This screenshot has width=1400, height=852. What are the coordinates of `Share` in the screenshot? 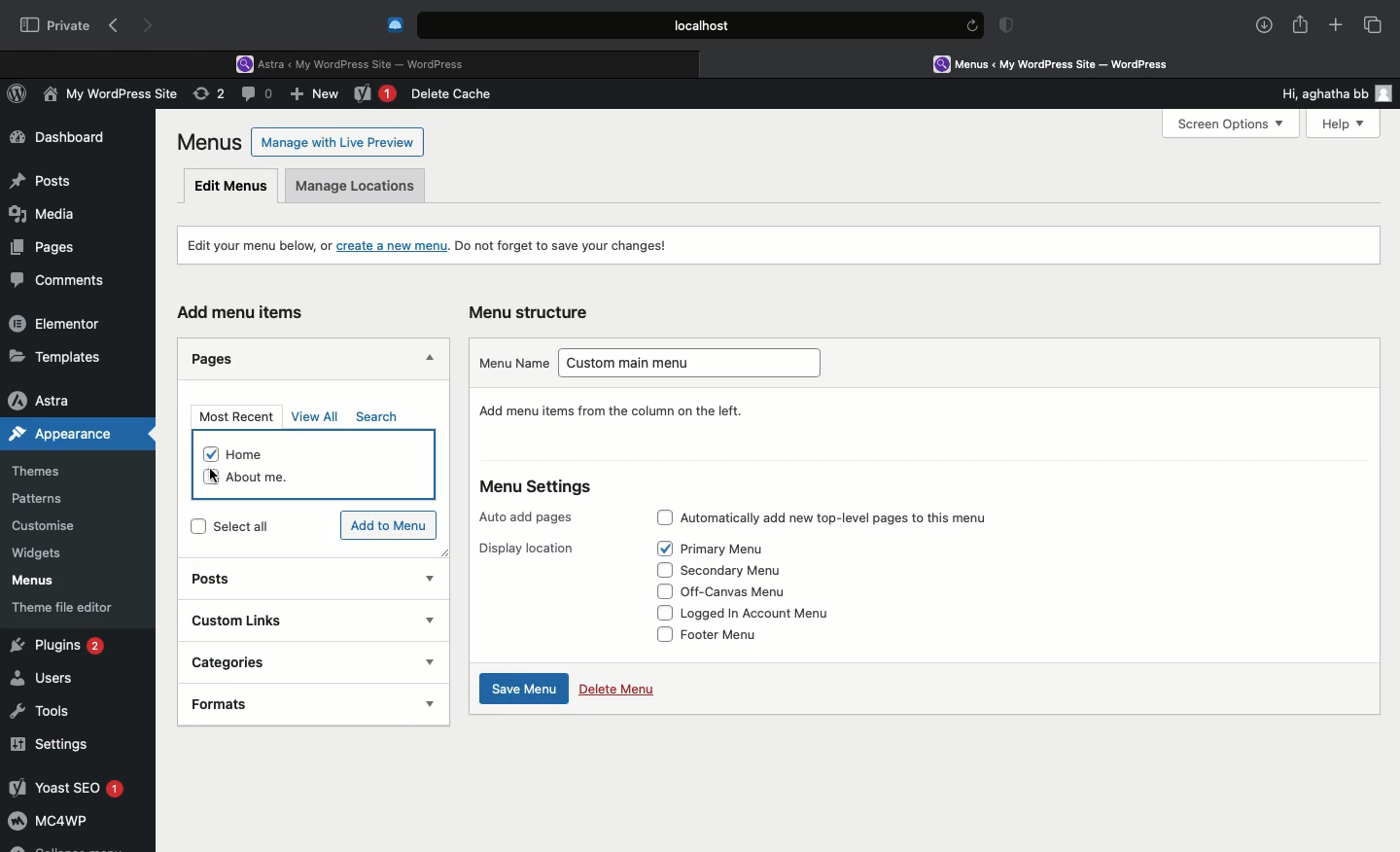 It's located at (1301, 25).